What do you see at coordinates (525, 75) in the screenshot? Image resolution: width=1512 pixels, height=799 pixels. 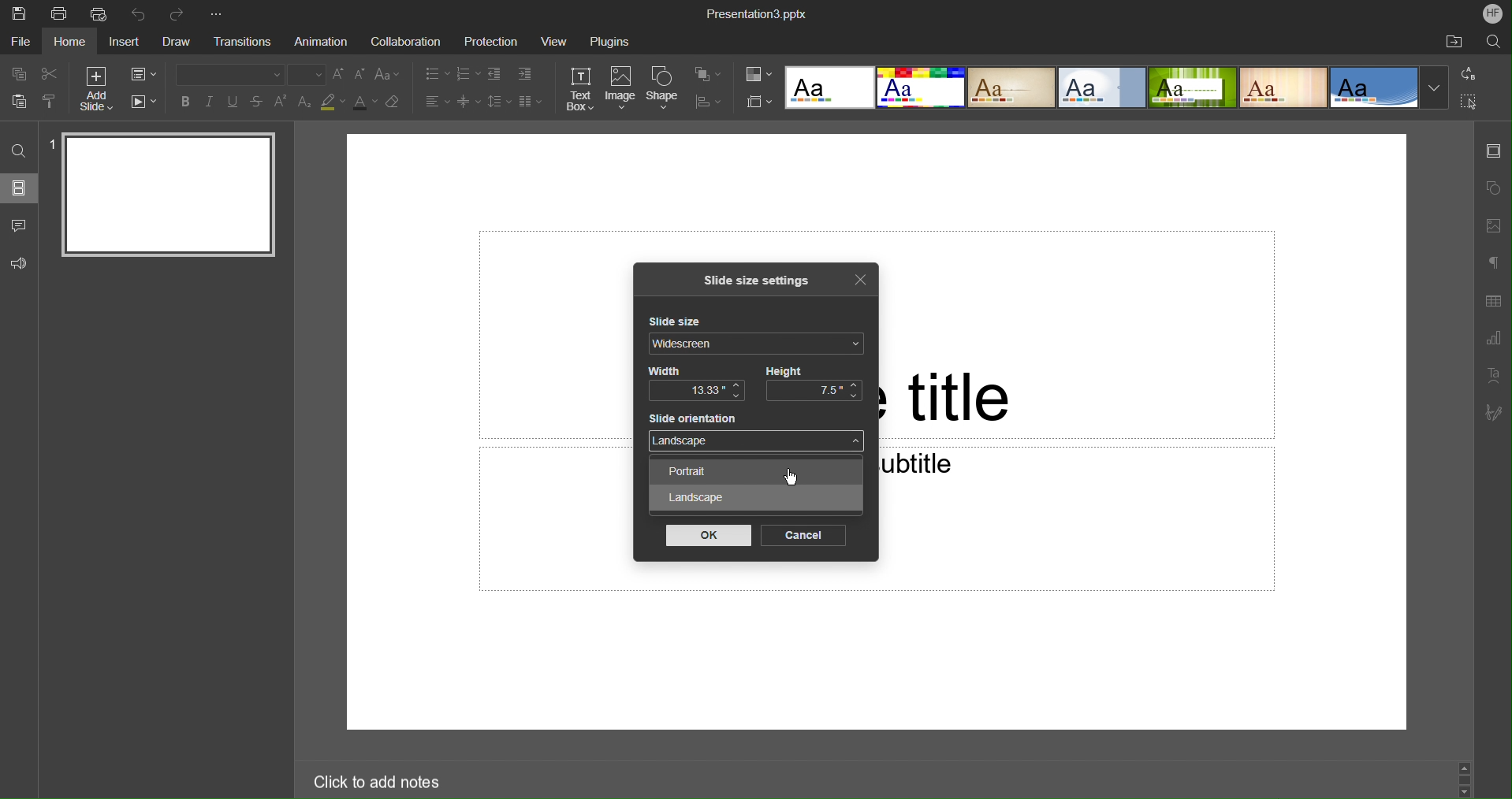 I see `Increase Indent` at bounding box center [525, 75].